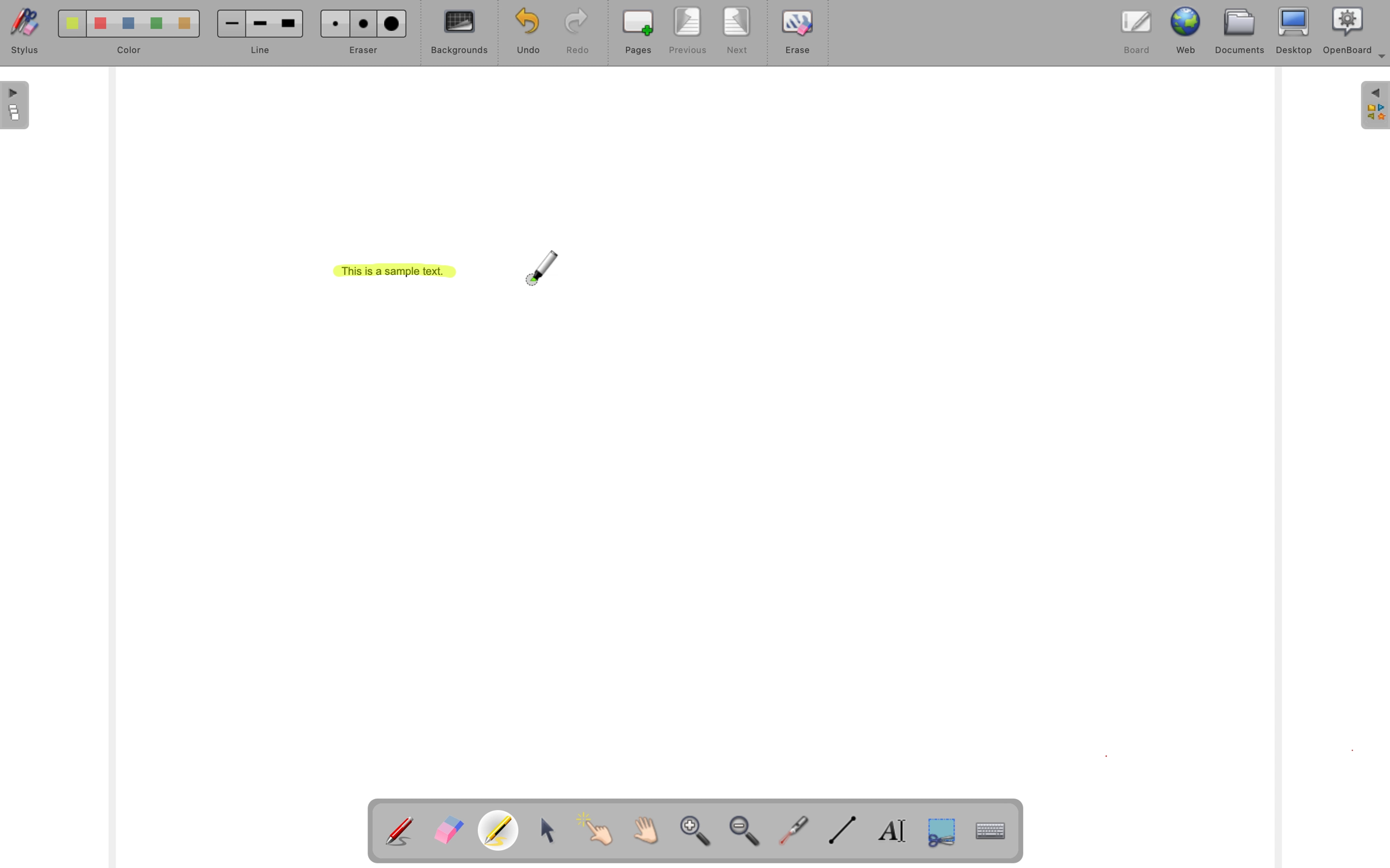  What do you see at coordinates (101, 24) in the screenshot?
I see `Color 2` at bounding box center [101, 24].